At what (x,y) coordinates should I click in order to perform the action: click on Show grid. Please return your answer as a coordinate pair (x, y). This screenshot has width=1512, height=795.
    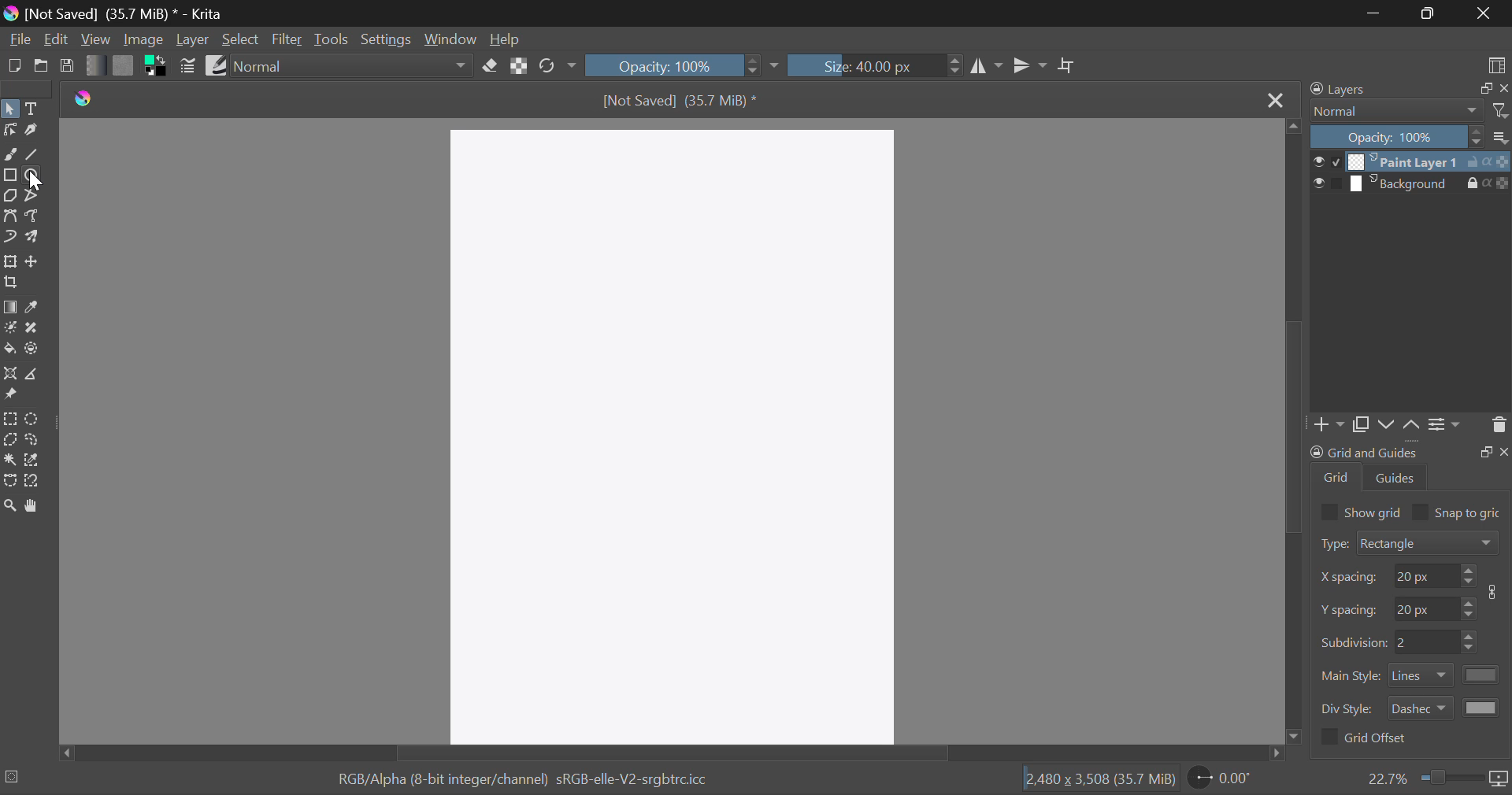
    Looking at the image, I should click on (1360, 511).